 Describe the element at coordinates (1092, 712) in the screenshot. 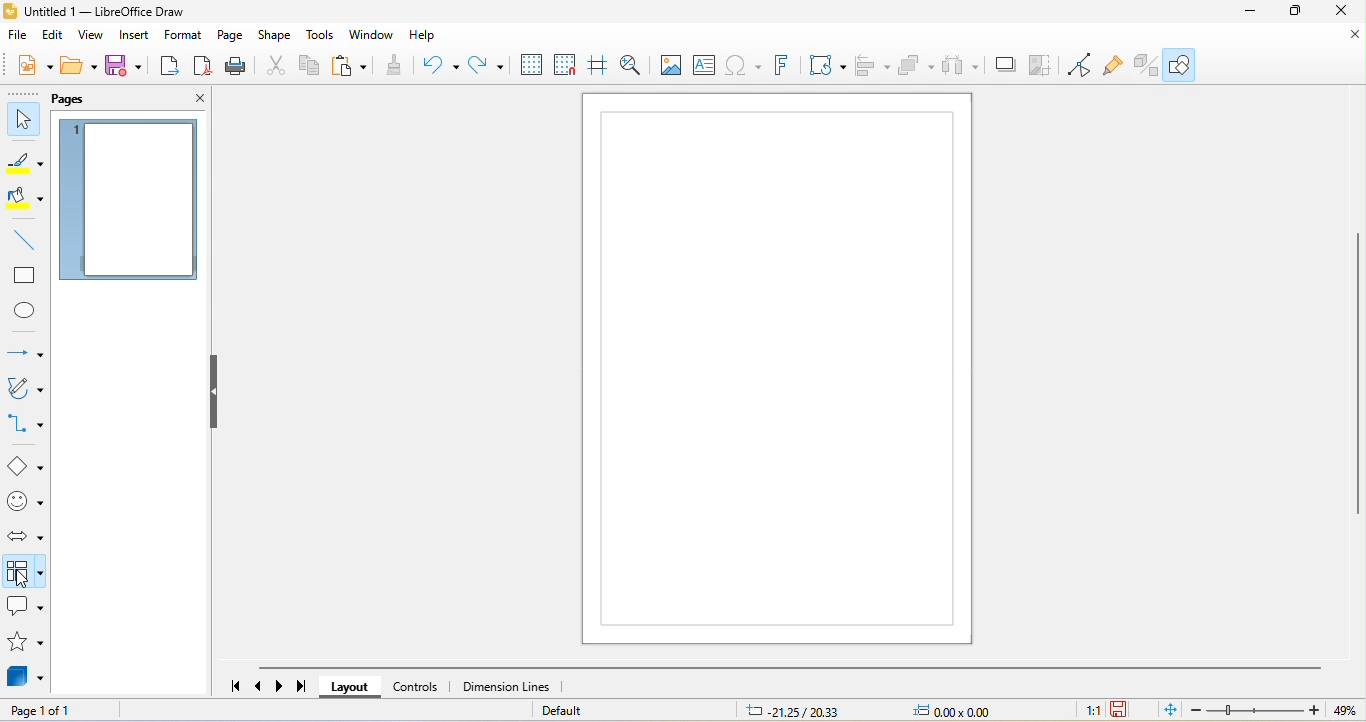

I see `1:1` at that location.